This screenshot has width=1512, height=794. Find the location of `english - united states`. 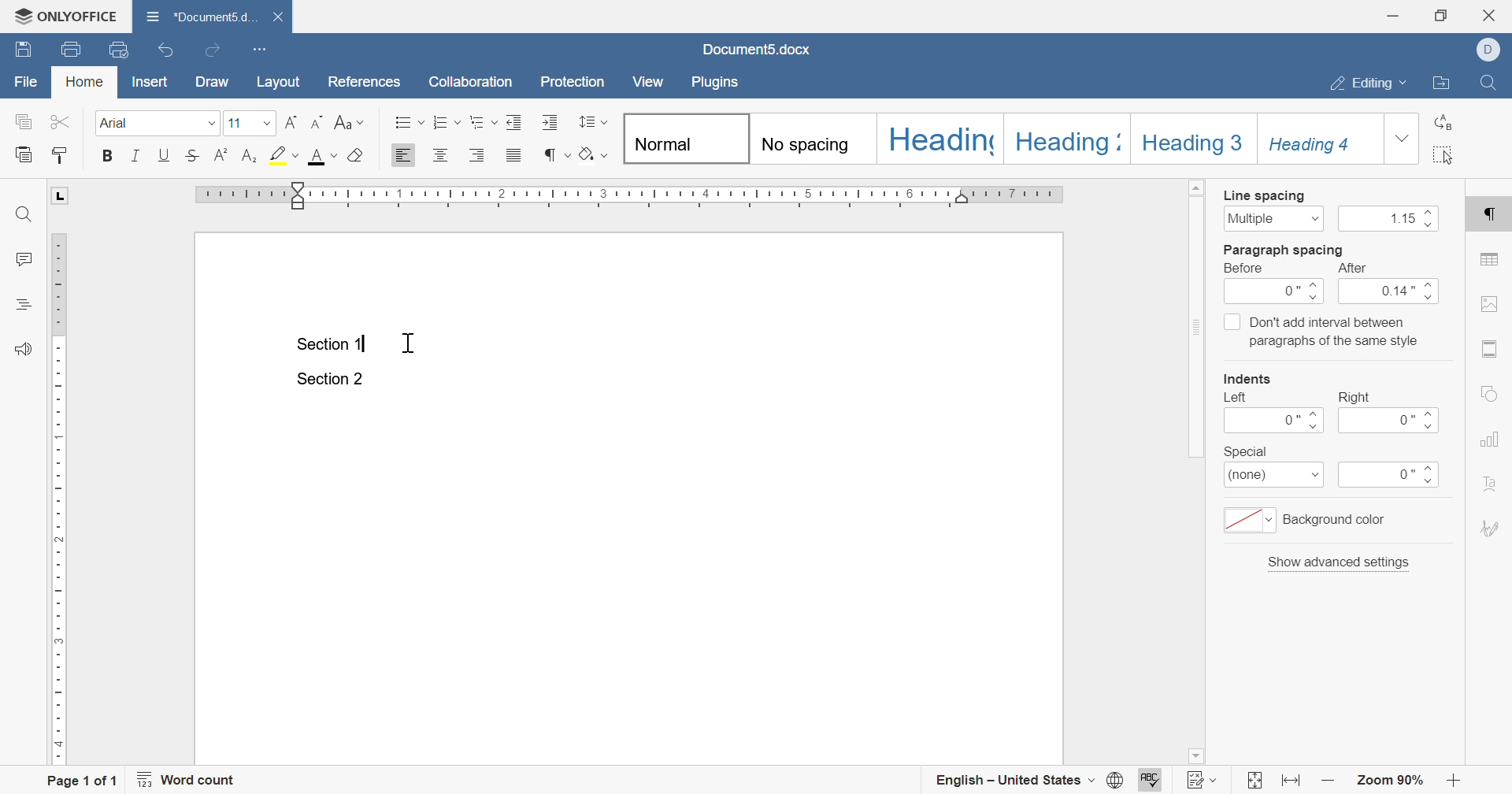

english - united states is located at coordinates (1028, 781).